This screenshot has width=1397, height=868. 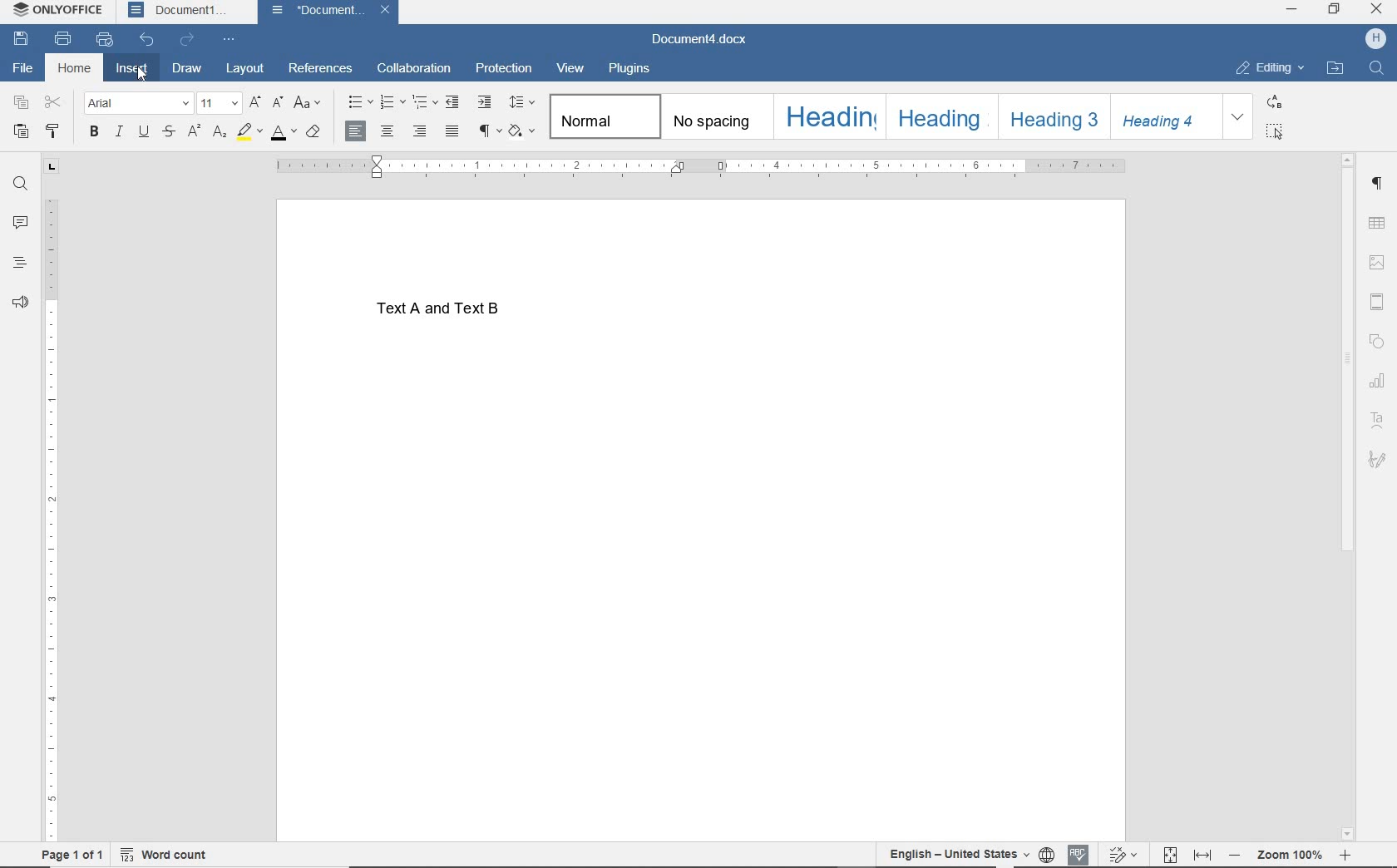 I want to click on PARAGRAPH LINE SPACING, so click(x=521, y=103).